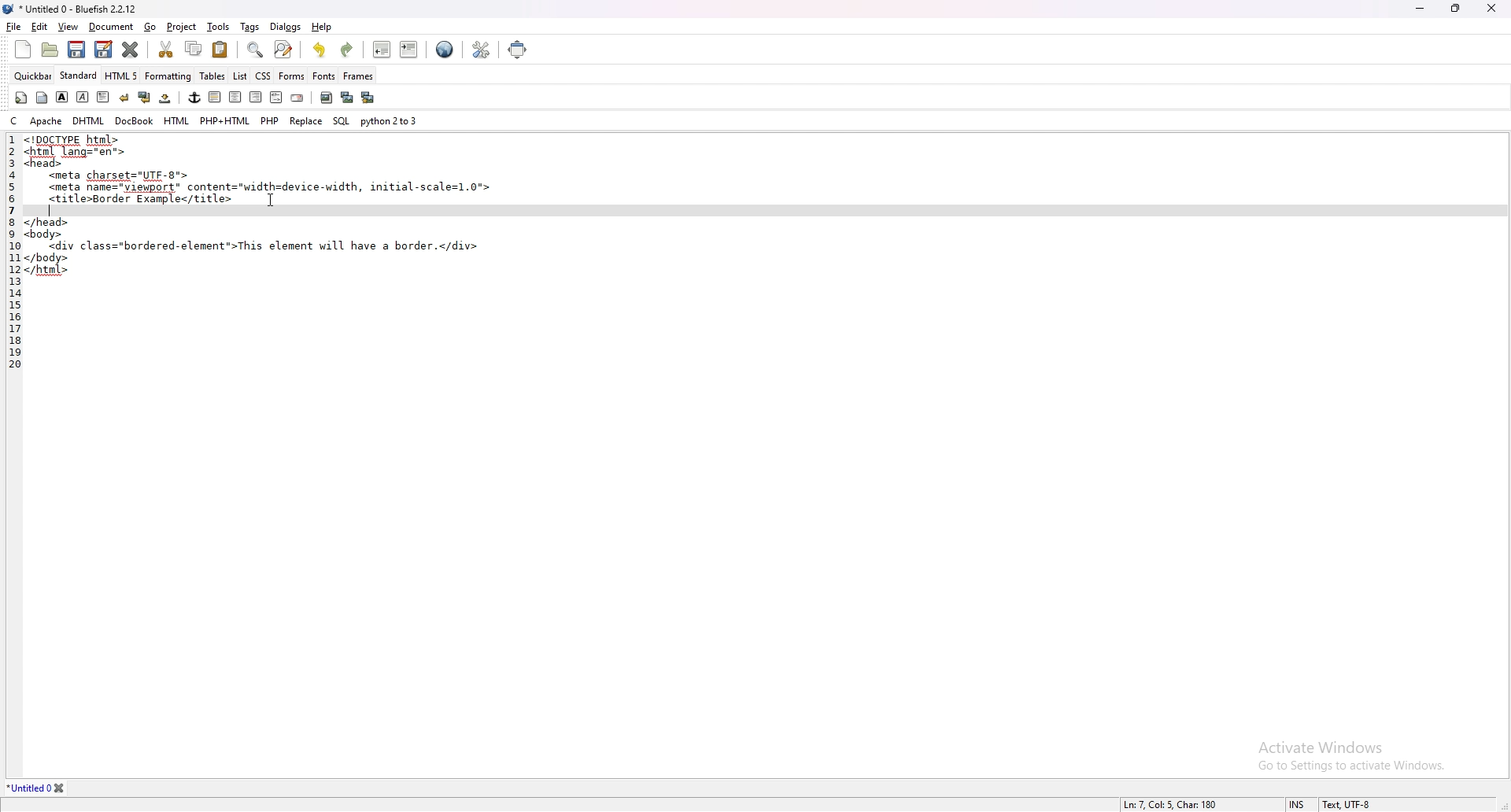  Describe the element at coordinates (1345, 749) in the screenshot. I see `Activate Windows
Go to Settings to activate Windows.` at that location.